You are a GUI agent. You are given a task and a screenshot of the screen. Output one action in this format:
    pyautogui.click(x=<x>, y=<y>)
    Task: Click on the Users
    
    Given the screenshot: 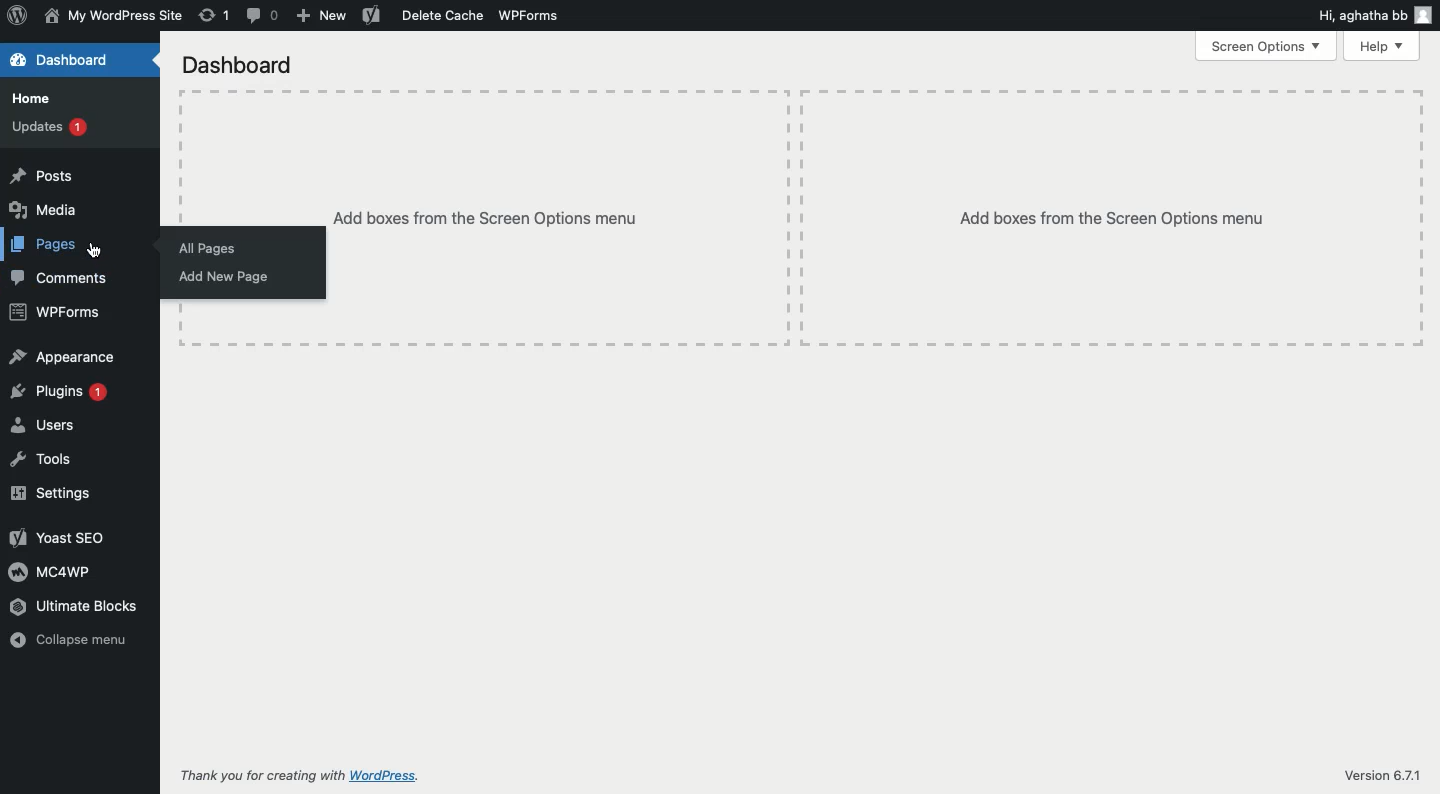 What is the action you would take?
    pyautogui.click(x=41, y=425)
    